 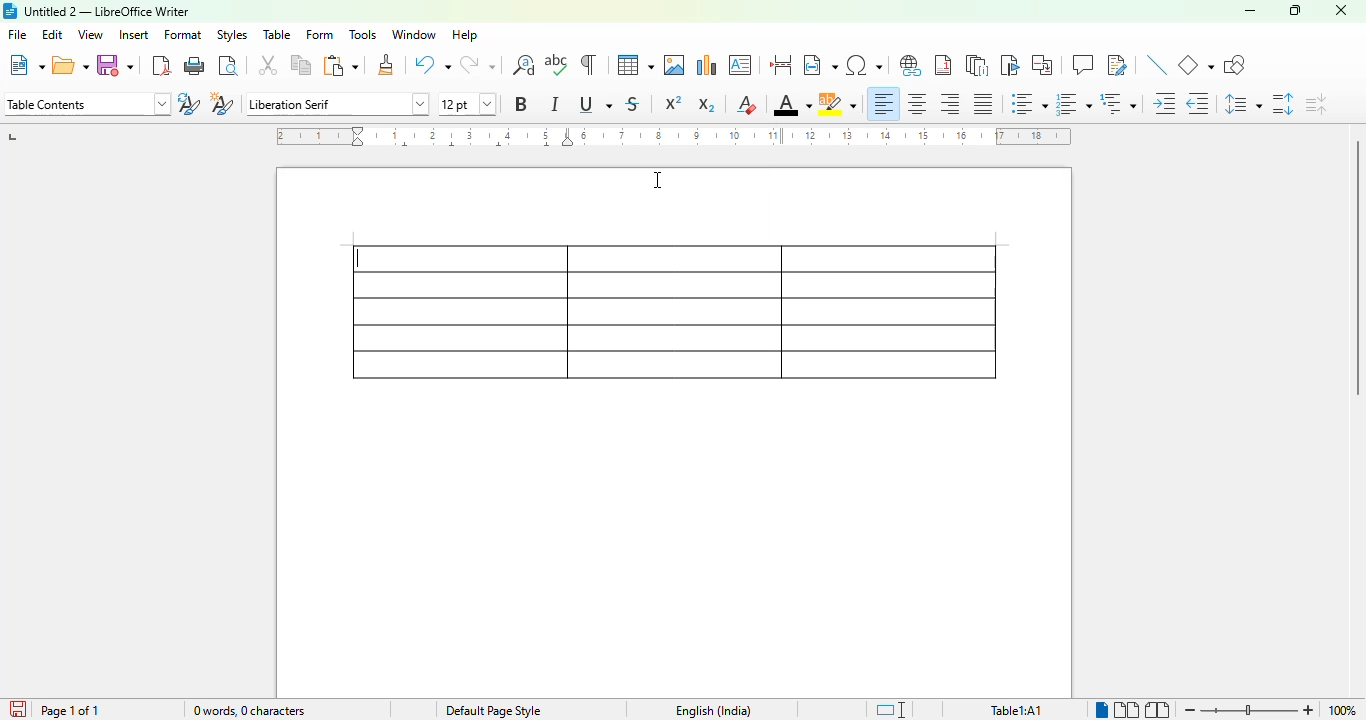 I want to click on find and replace, so click(x=524, y=64).